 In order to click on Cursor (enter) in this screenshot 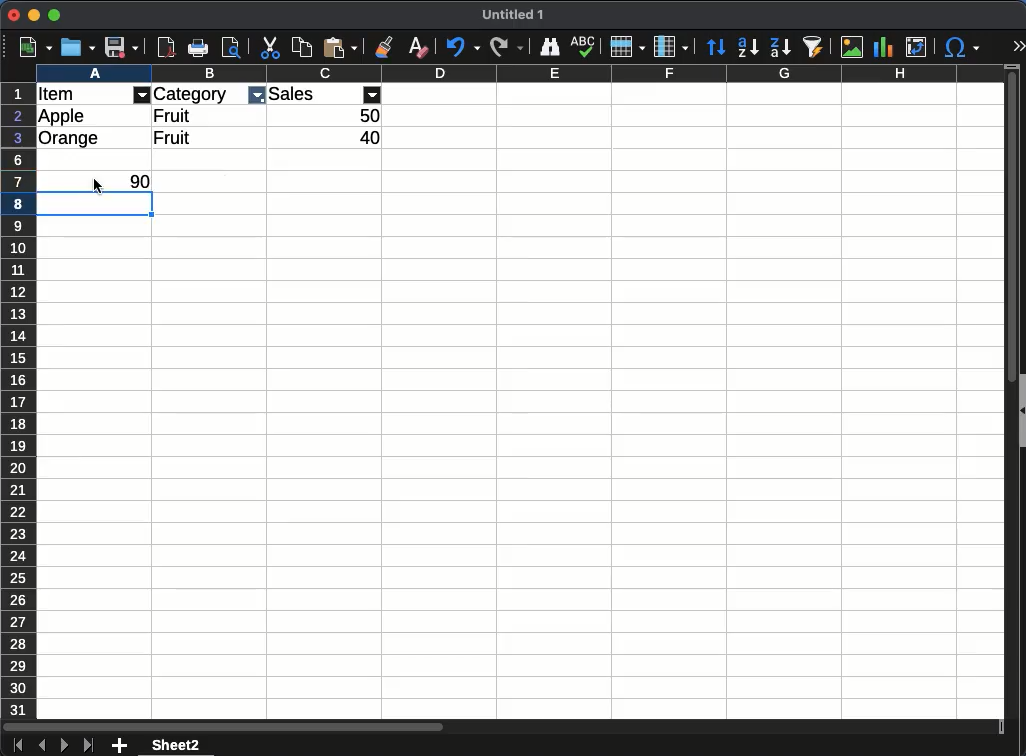, I will do `click(97, 187)`.